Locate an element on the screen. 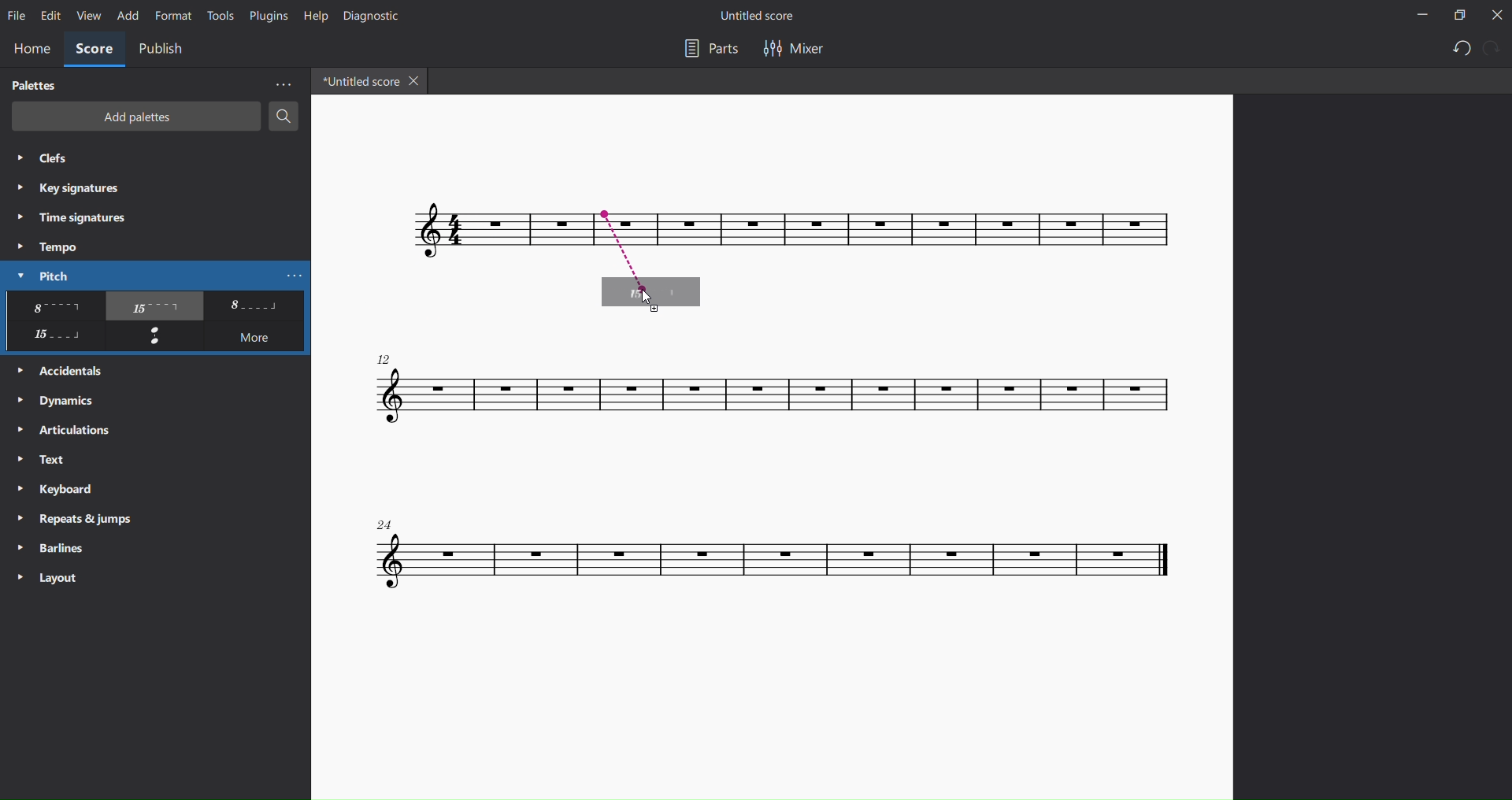 Image resolution: width=1512 pixels, height=800 pixels. help is located at coordinates (315, 17).